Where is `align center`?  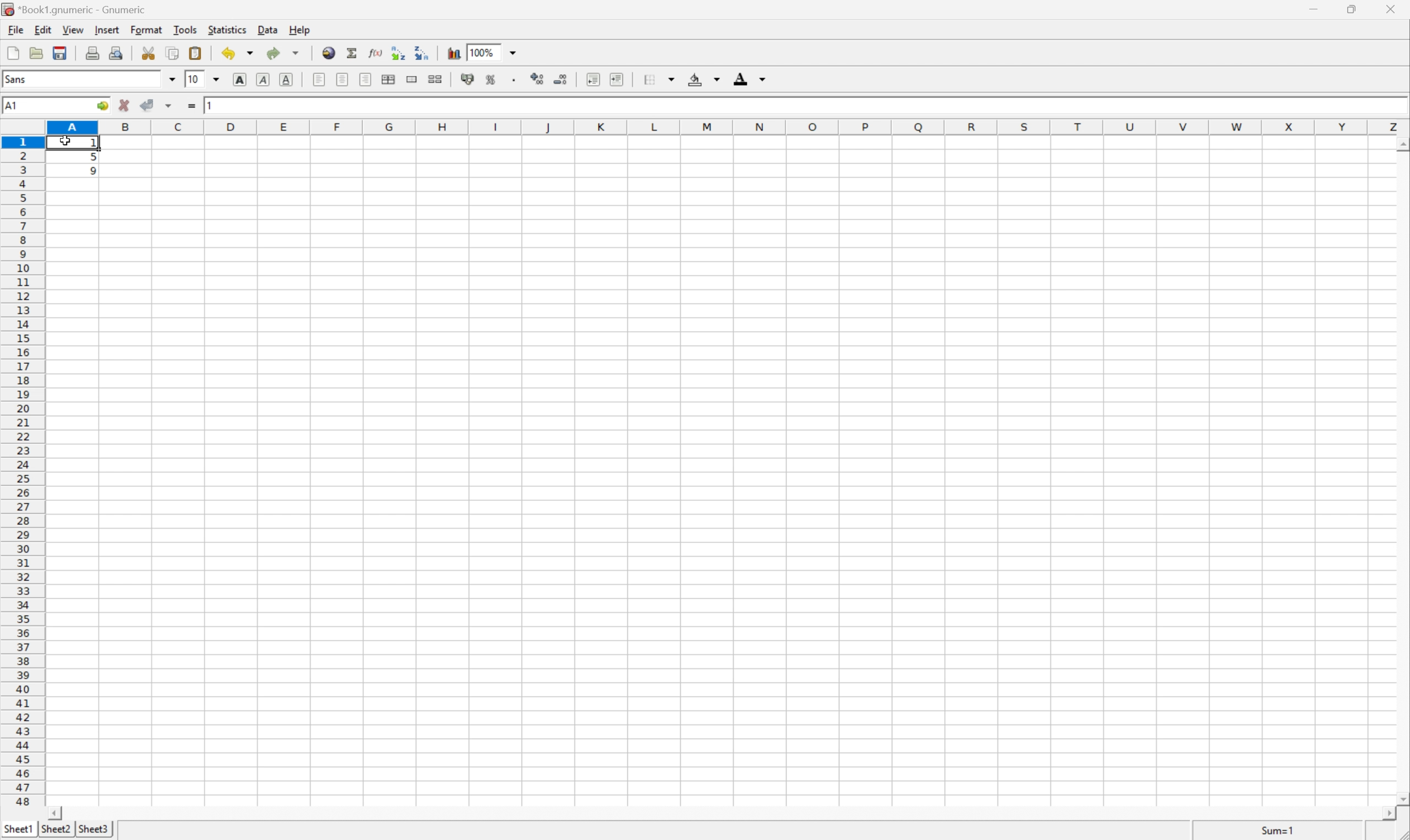 align center is located at coordinates (343, 79).